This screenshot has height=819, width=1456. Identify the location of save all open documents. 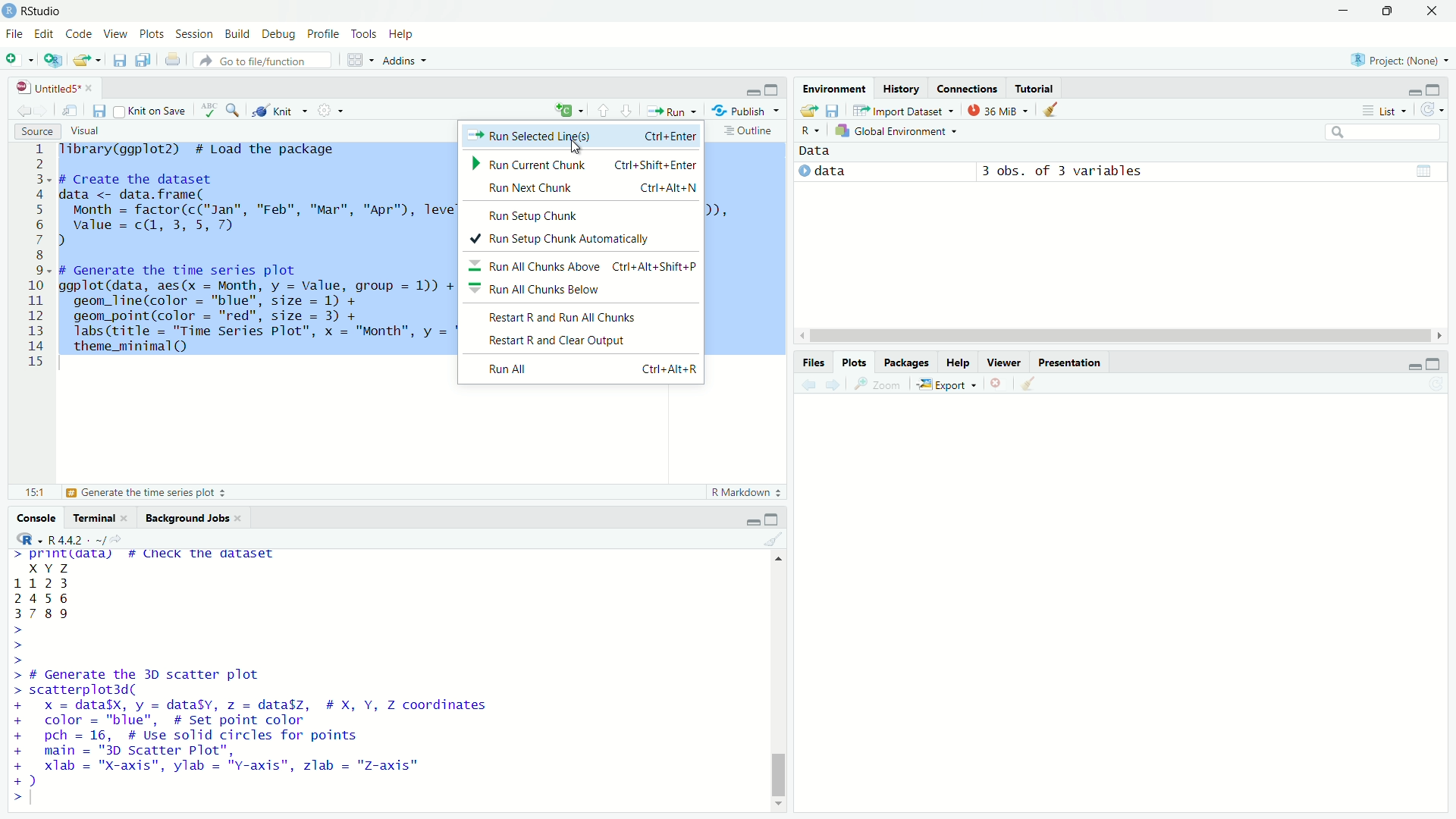
(143, 60).